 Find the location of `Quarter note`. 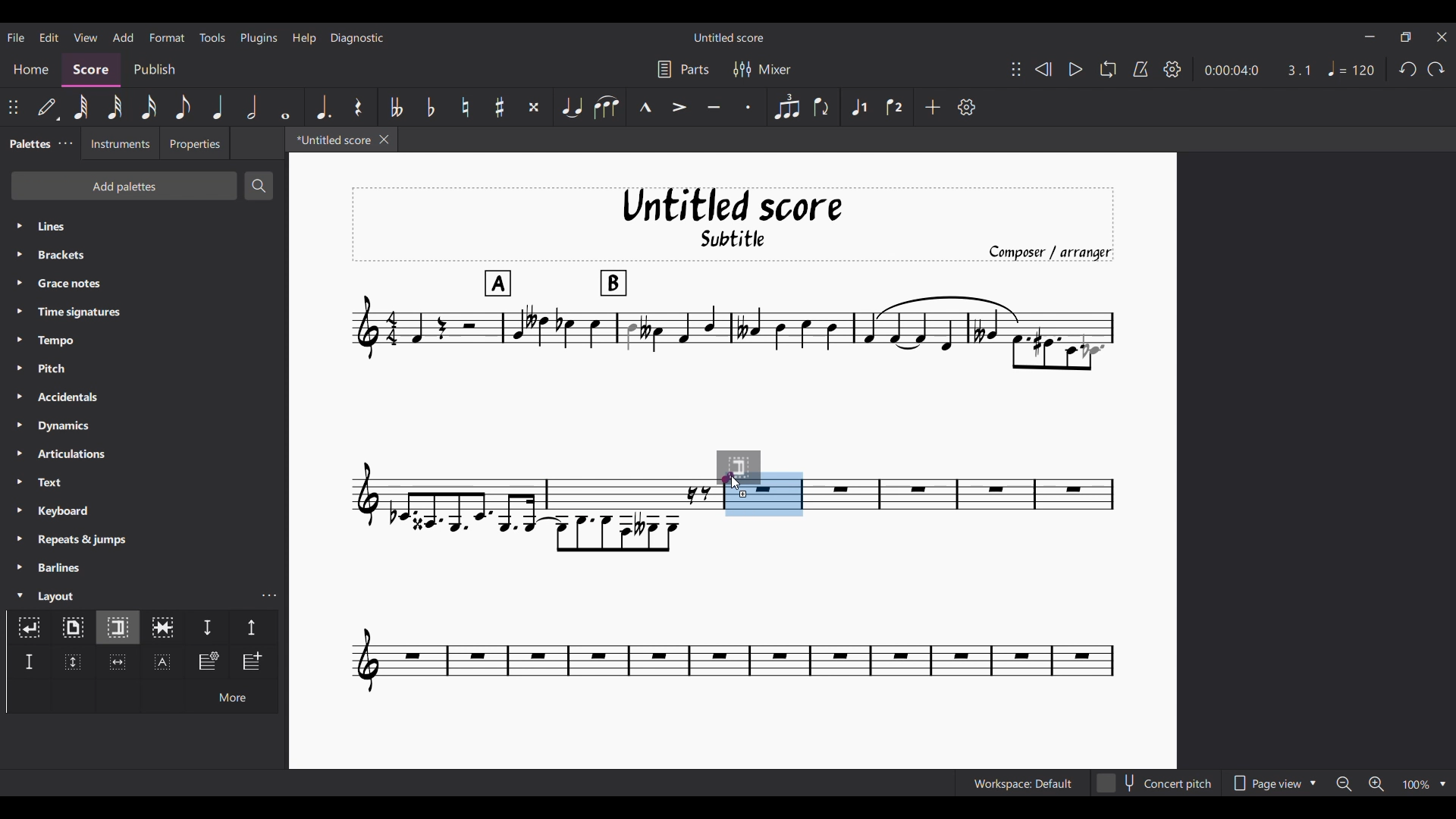

Quarter note is located at coordinates (218, 106).